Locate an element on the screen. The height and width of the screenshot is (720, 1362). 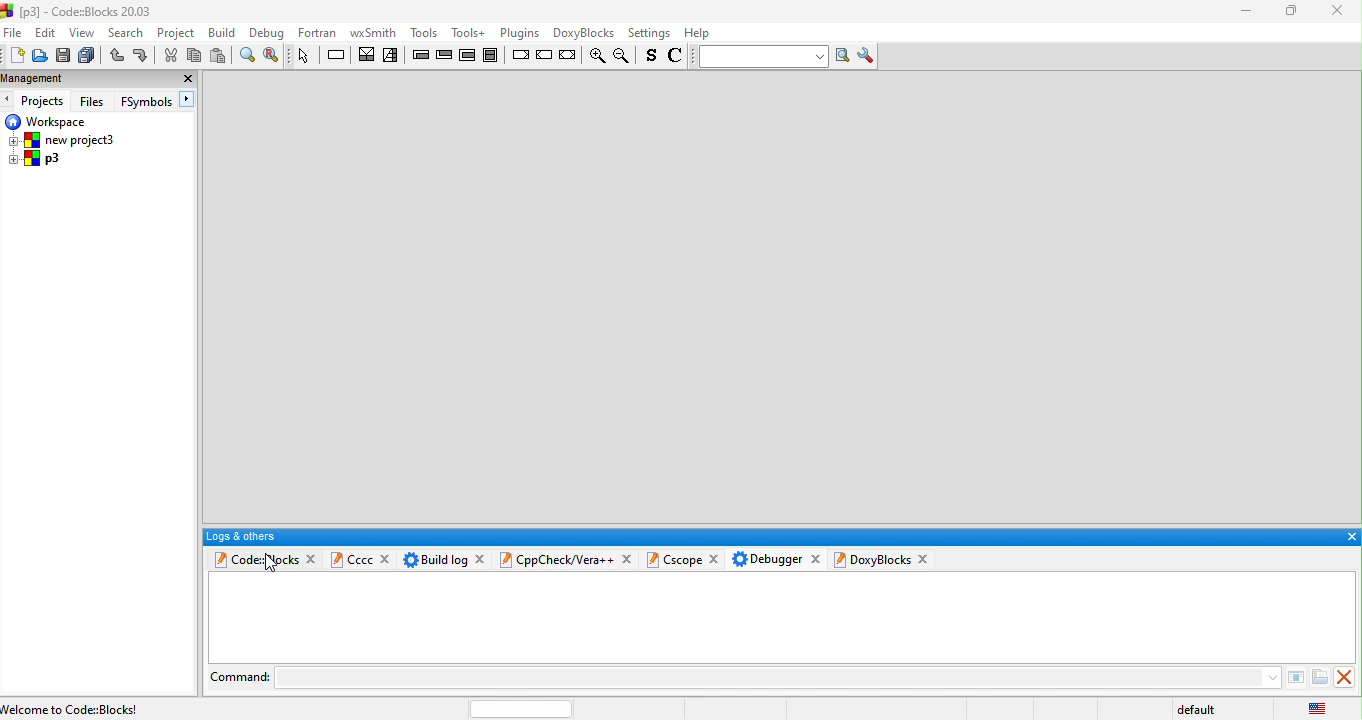
logs and others is located at coordinates (766, 536).